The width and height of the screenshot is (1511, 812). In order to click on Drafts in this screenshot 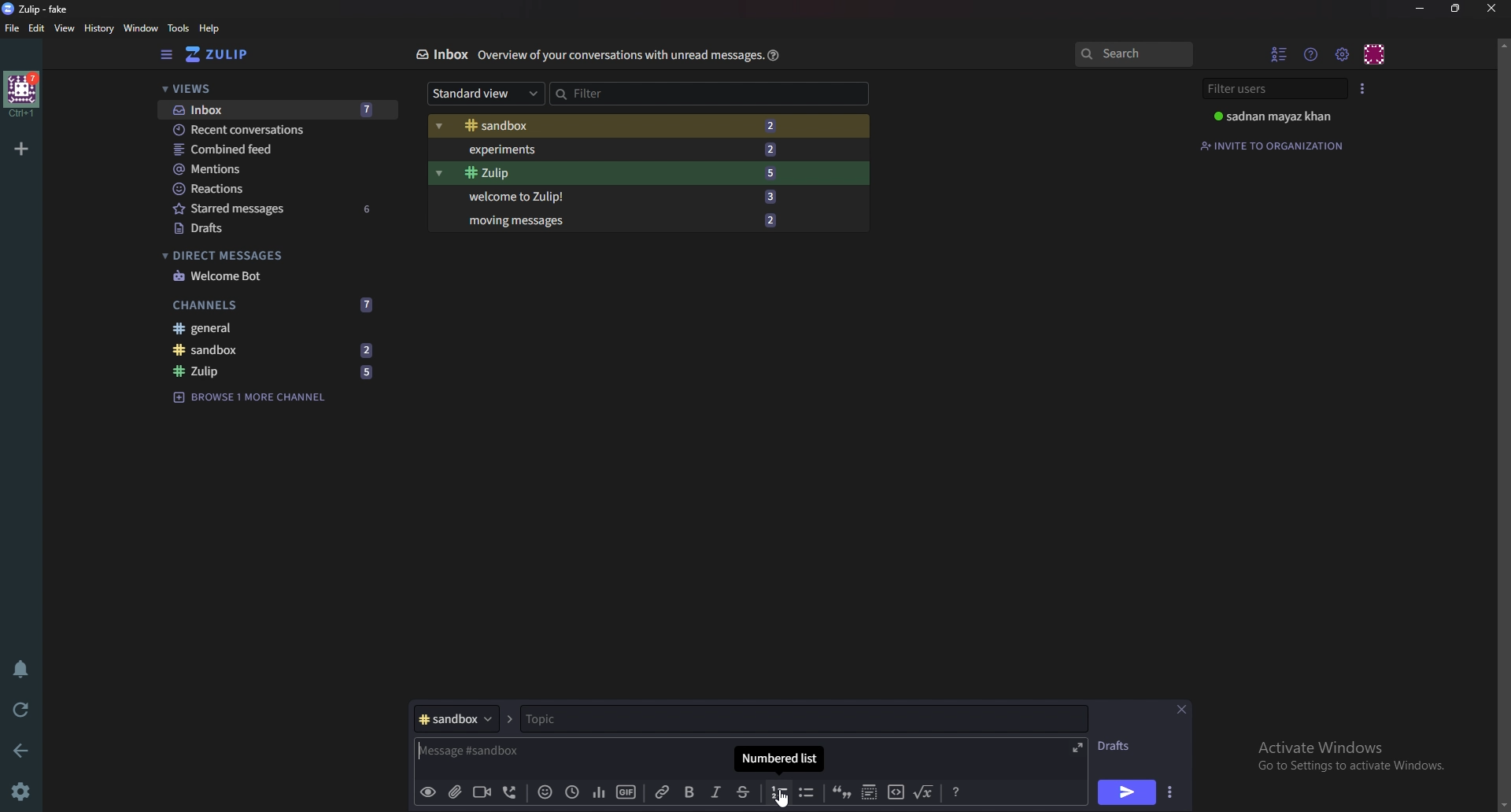, I will do `click(272, 228)`.